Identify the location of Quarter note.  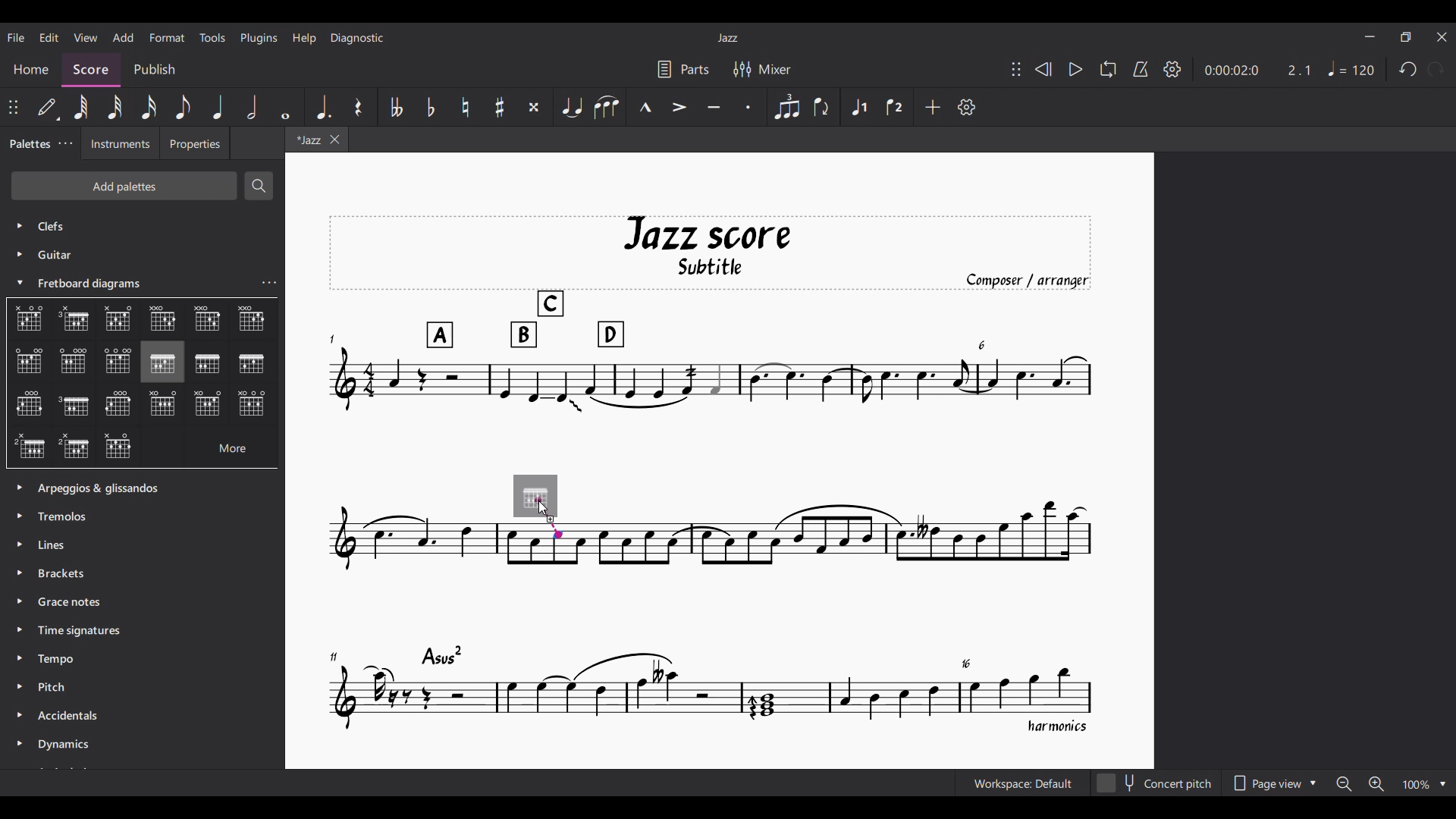
(219, 107).